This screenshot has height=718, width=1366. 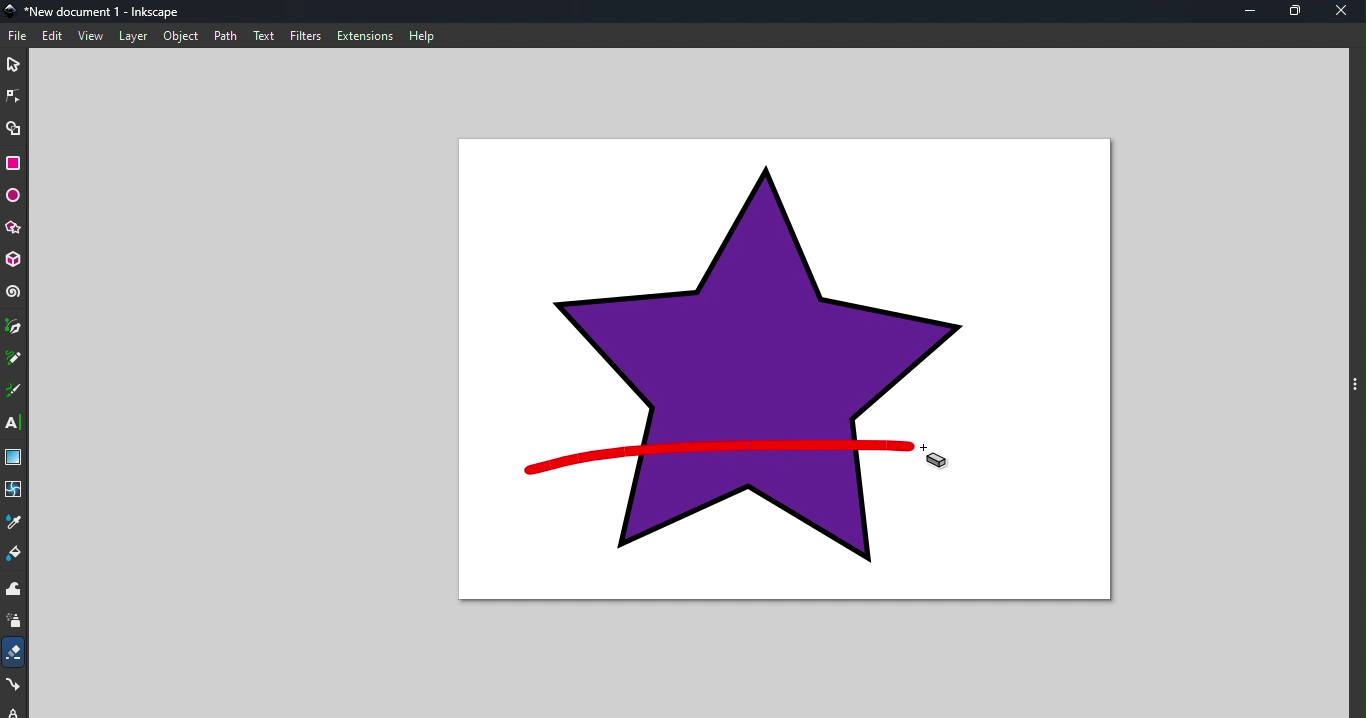 What do you see at coordinates (1346, 12) in the screenshot?
I see `close ` at bounding box center [1346, 12].